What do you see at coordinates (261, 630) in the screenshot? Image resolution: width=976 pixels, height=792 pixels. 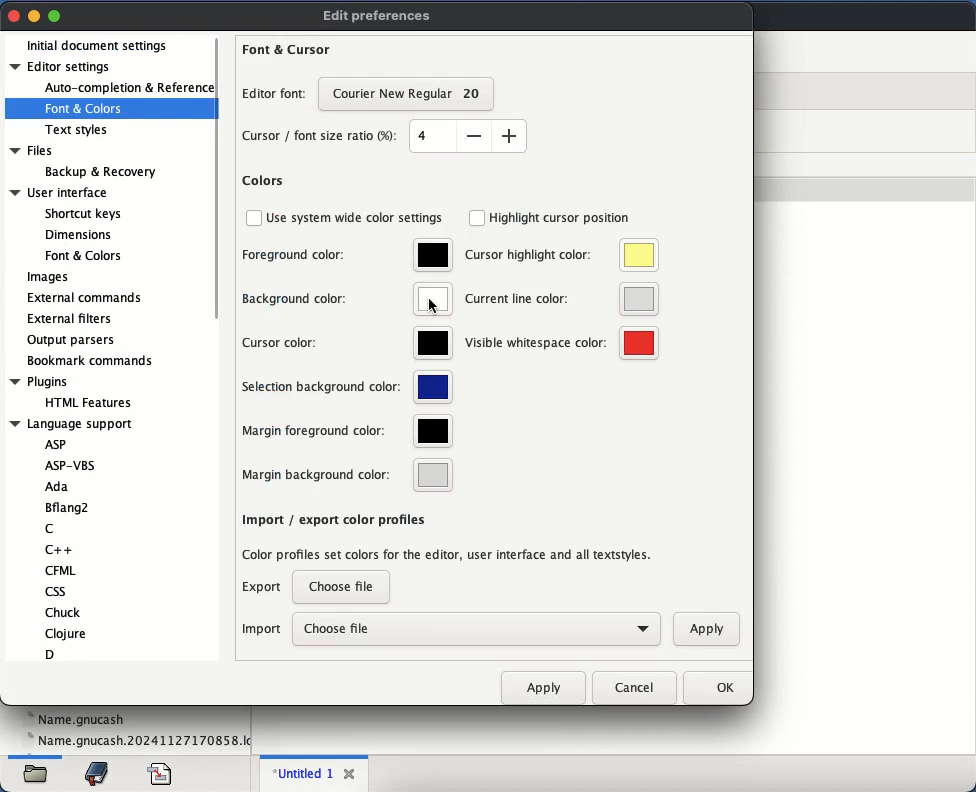 I see `import` at bounding box center [261, 630].